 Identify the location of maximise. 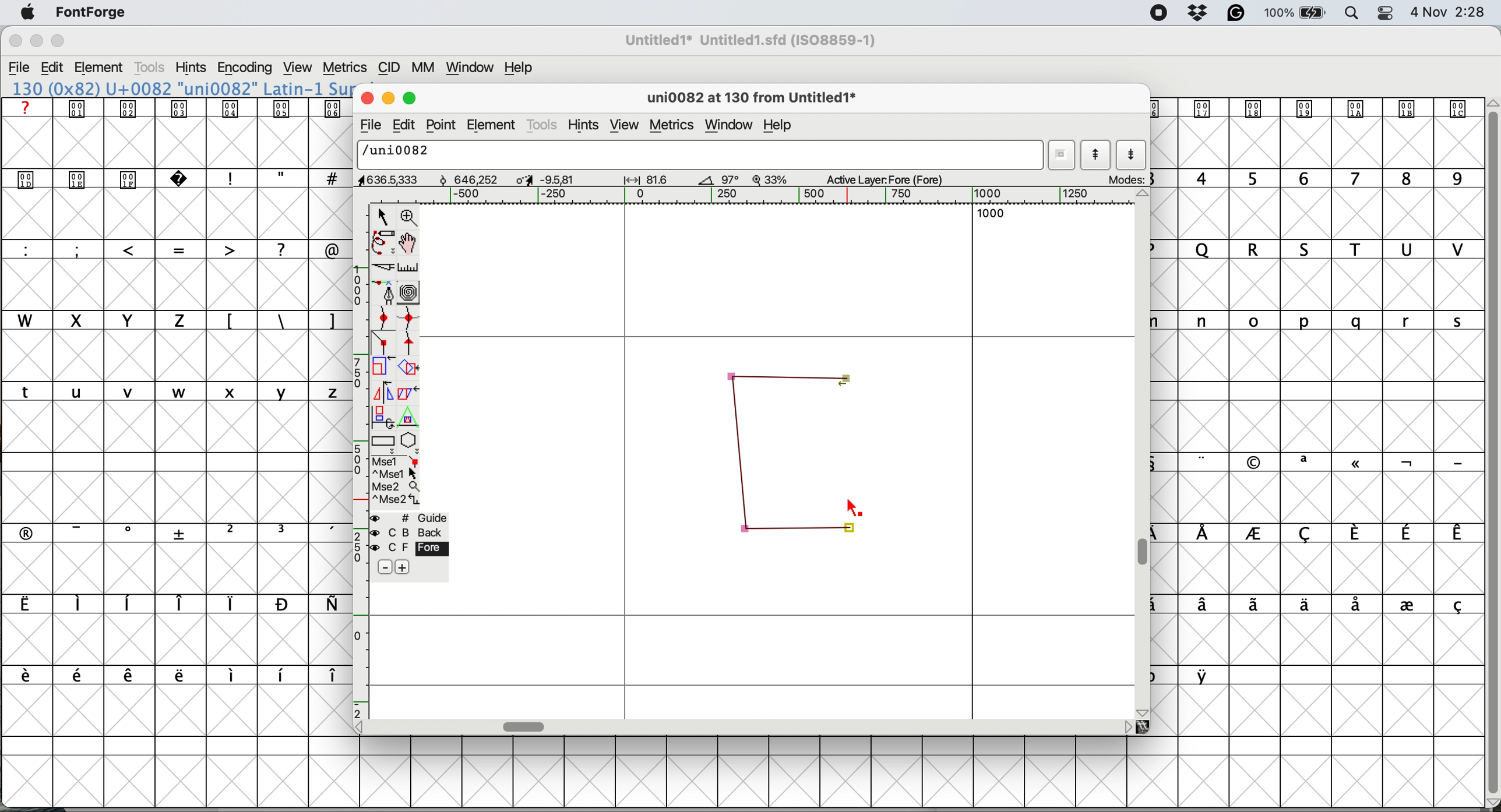
(59, 41).